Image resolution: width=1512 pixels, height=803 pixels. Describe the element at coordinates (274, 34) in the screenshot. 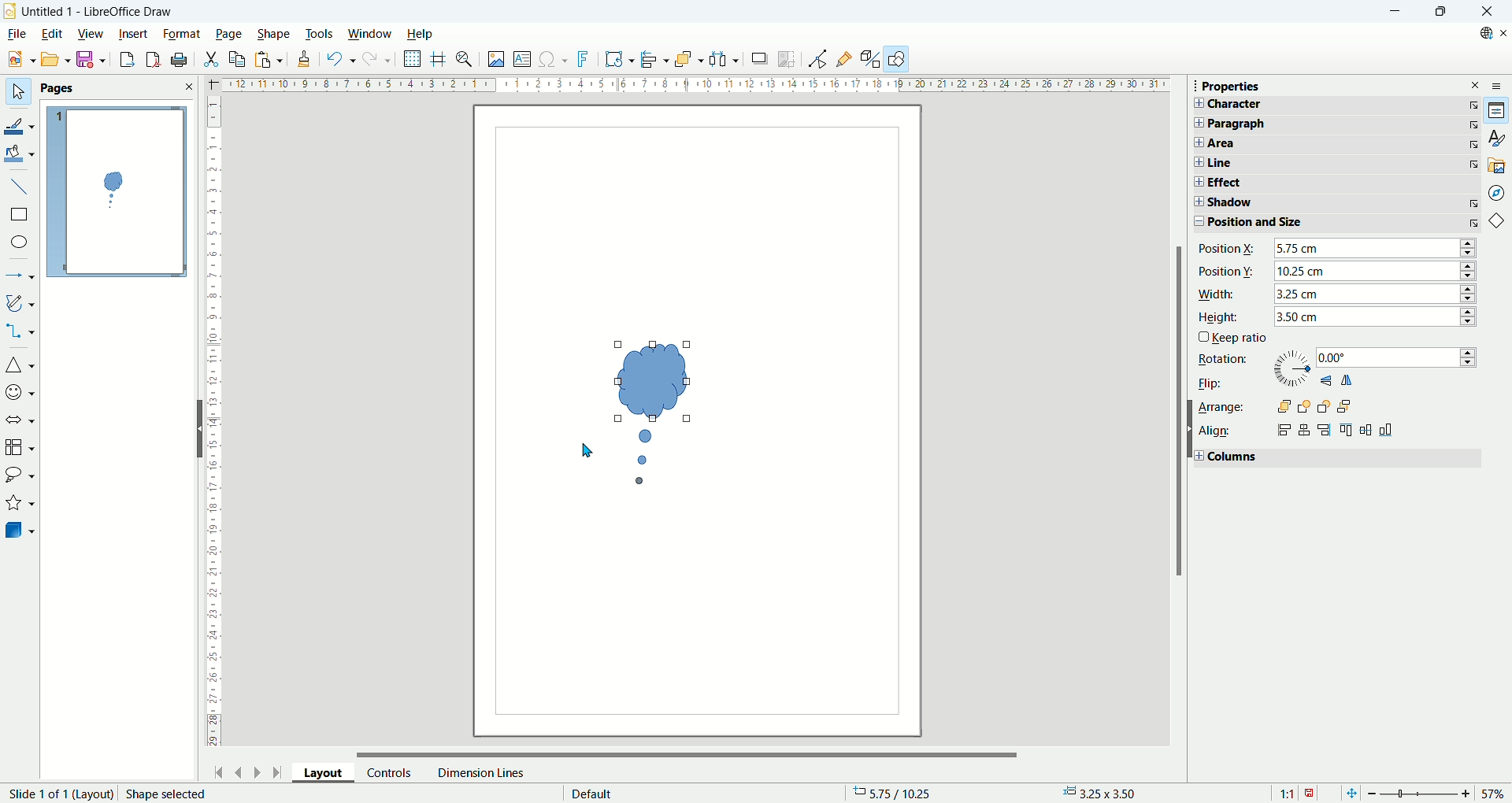

I see `shape` at that location.